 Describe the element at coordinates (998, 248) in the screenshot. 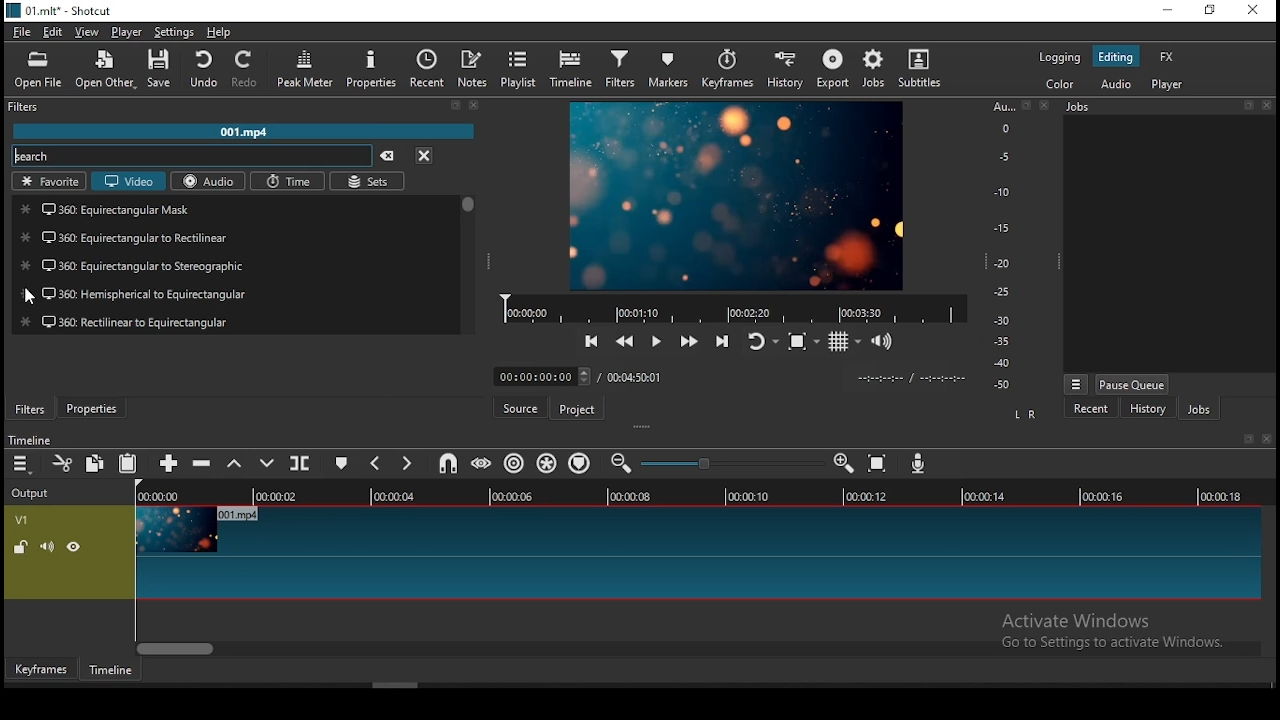

I see `y axis` at that location.